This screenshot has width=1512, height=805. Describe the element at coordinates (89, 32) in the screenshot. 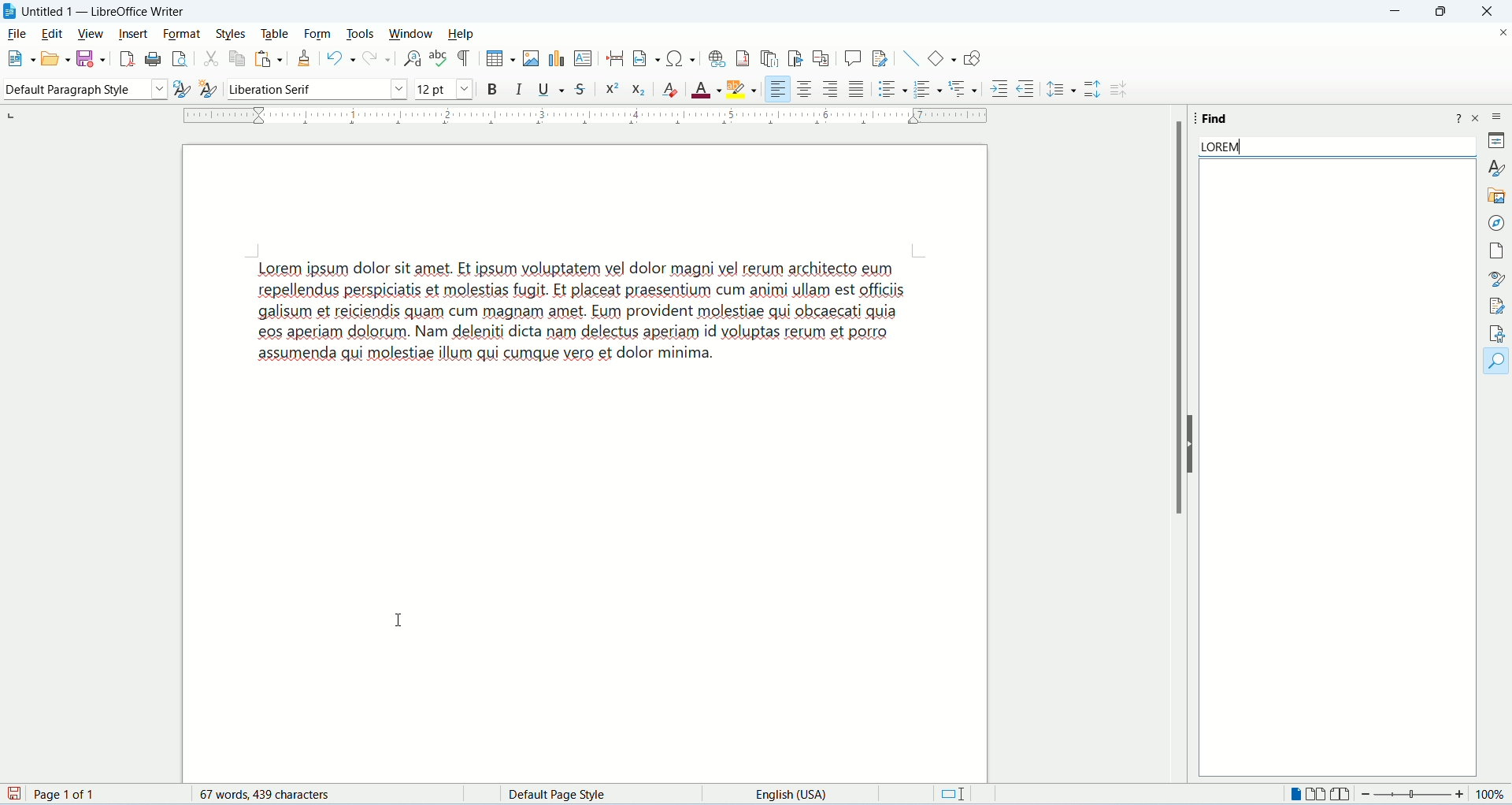

I see `view` at that location.